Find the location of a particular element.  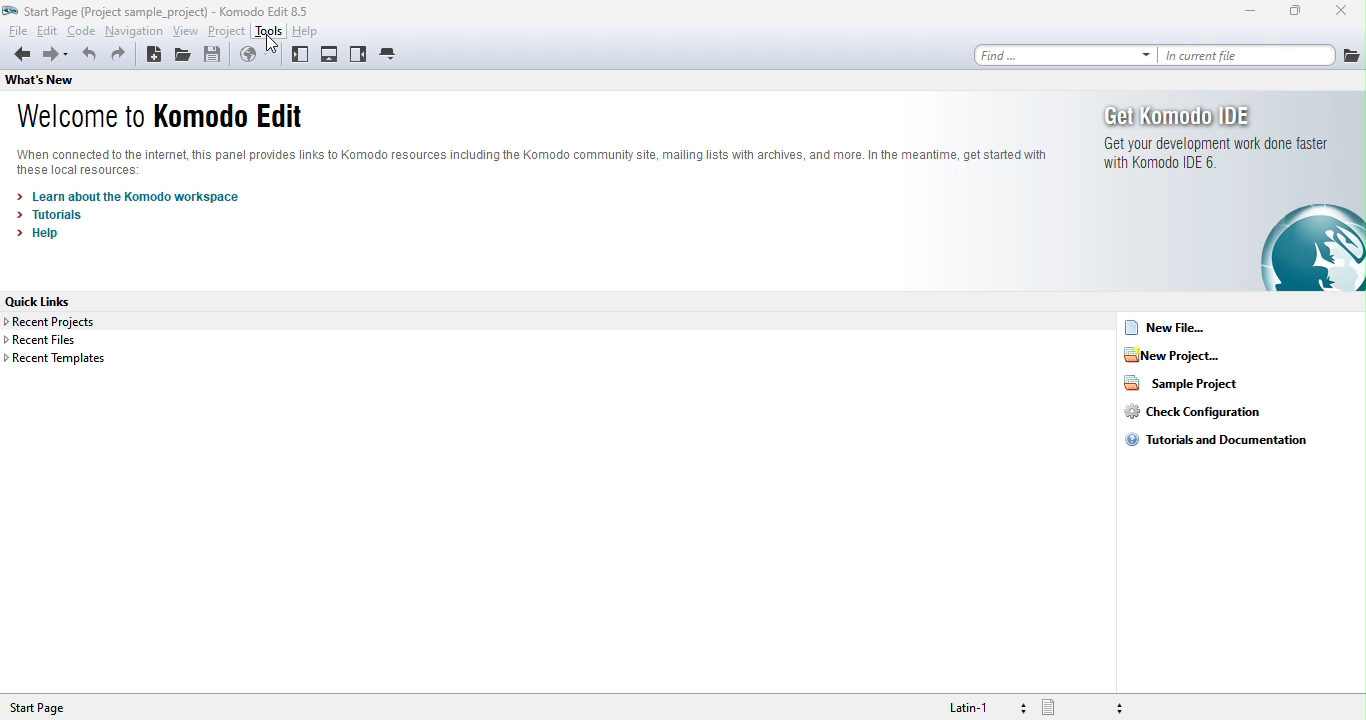

minimize is located at coordinates (1237, 13).